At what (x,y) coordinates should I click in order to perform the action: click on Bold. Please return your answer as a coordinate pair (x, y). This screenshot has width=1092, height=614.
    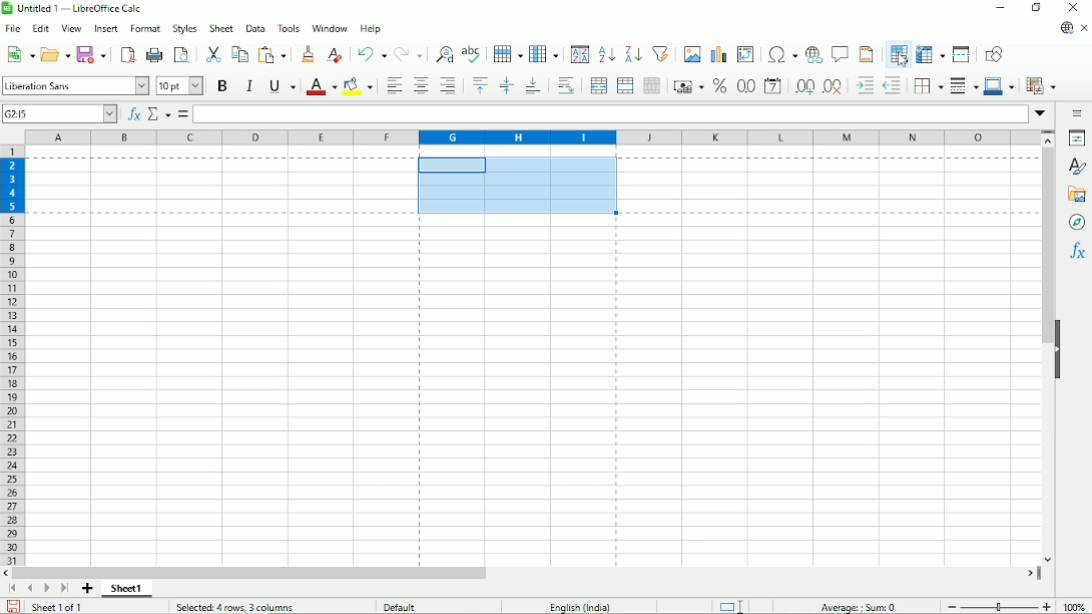
    Looking at the image, I should click on (221, 87).